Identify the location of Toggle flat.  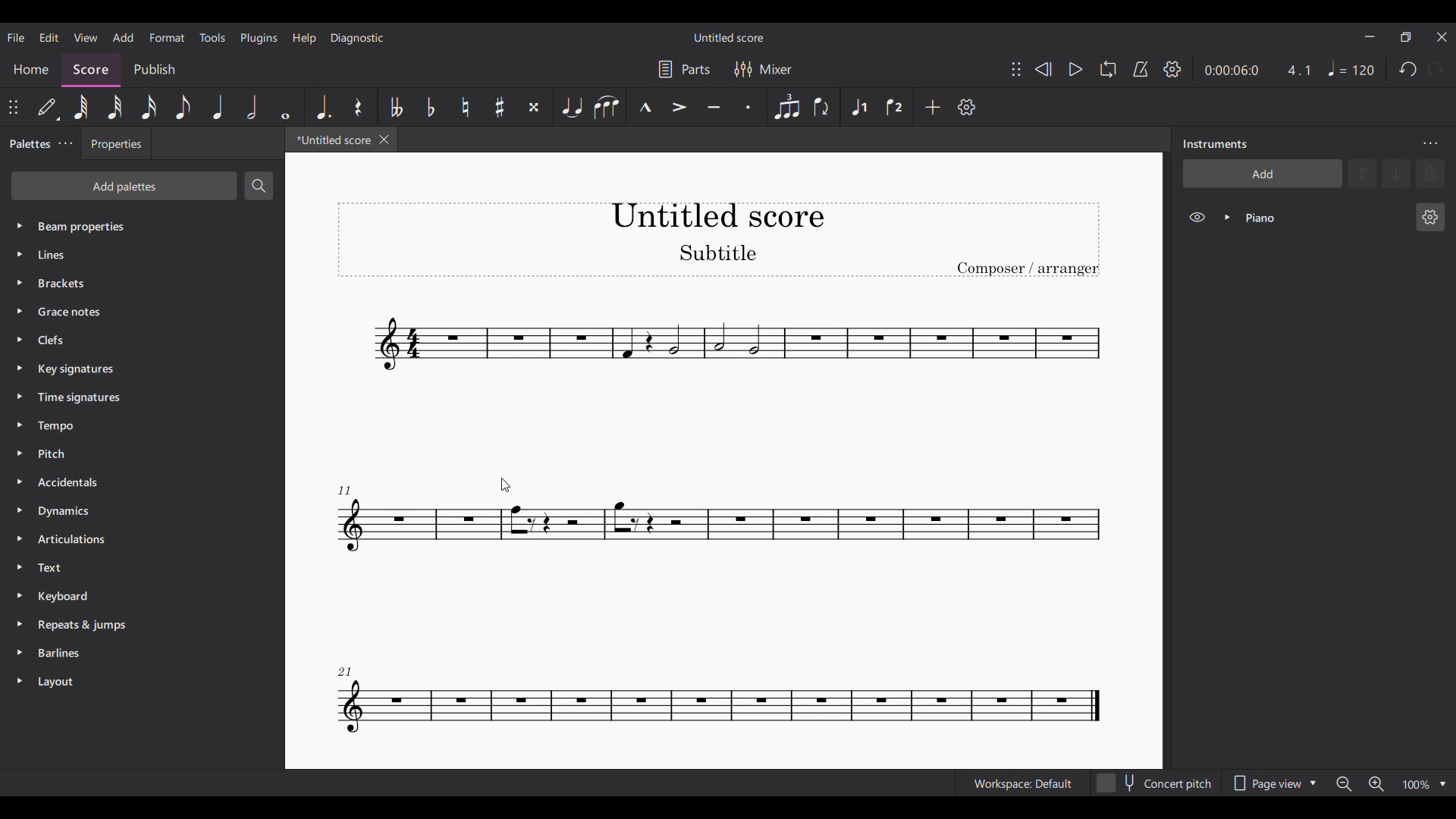
(431, 107).